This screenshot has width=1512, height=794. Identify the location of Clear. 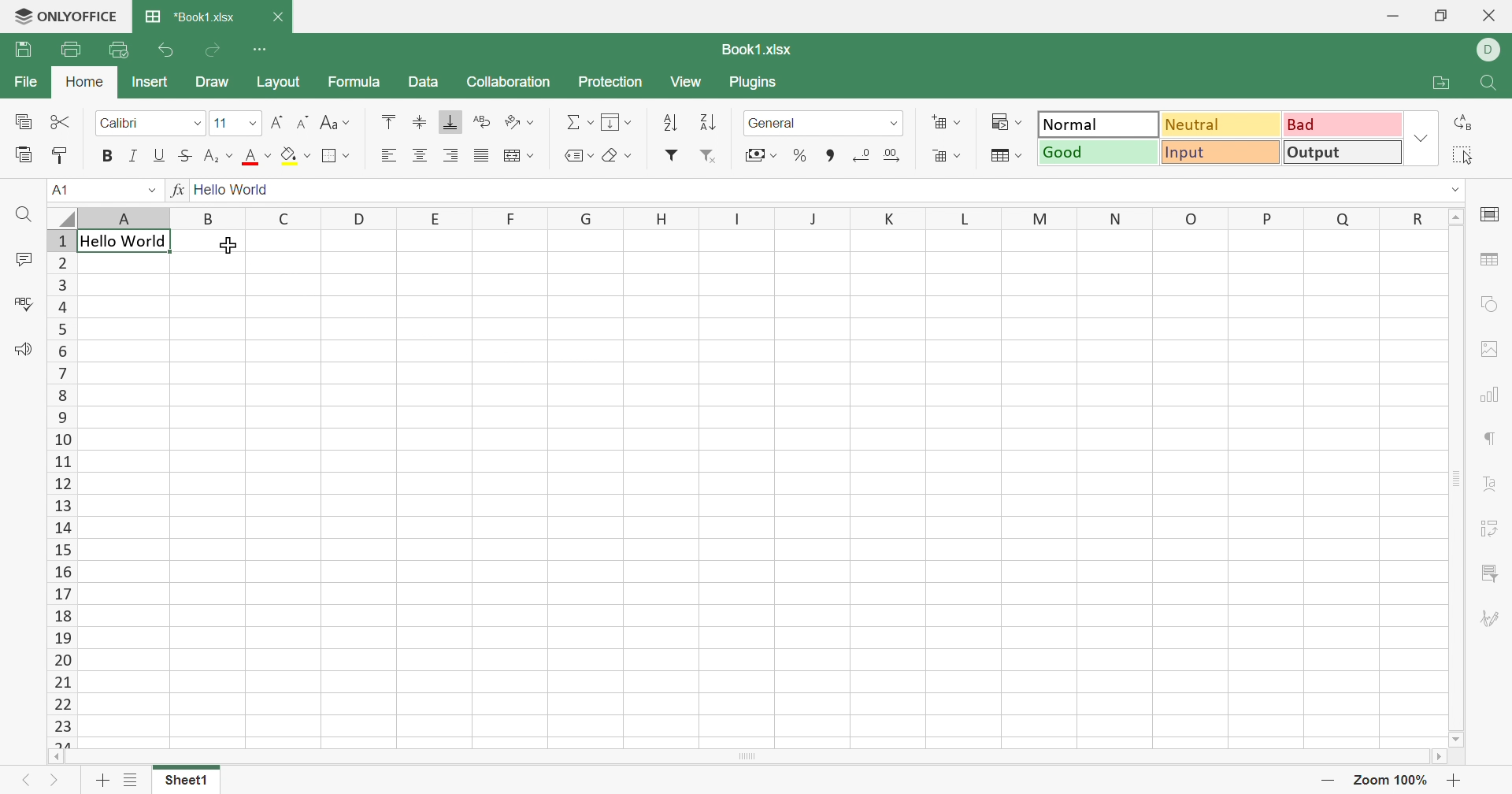
(615, 157).